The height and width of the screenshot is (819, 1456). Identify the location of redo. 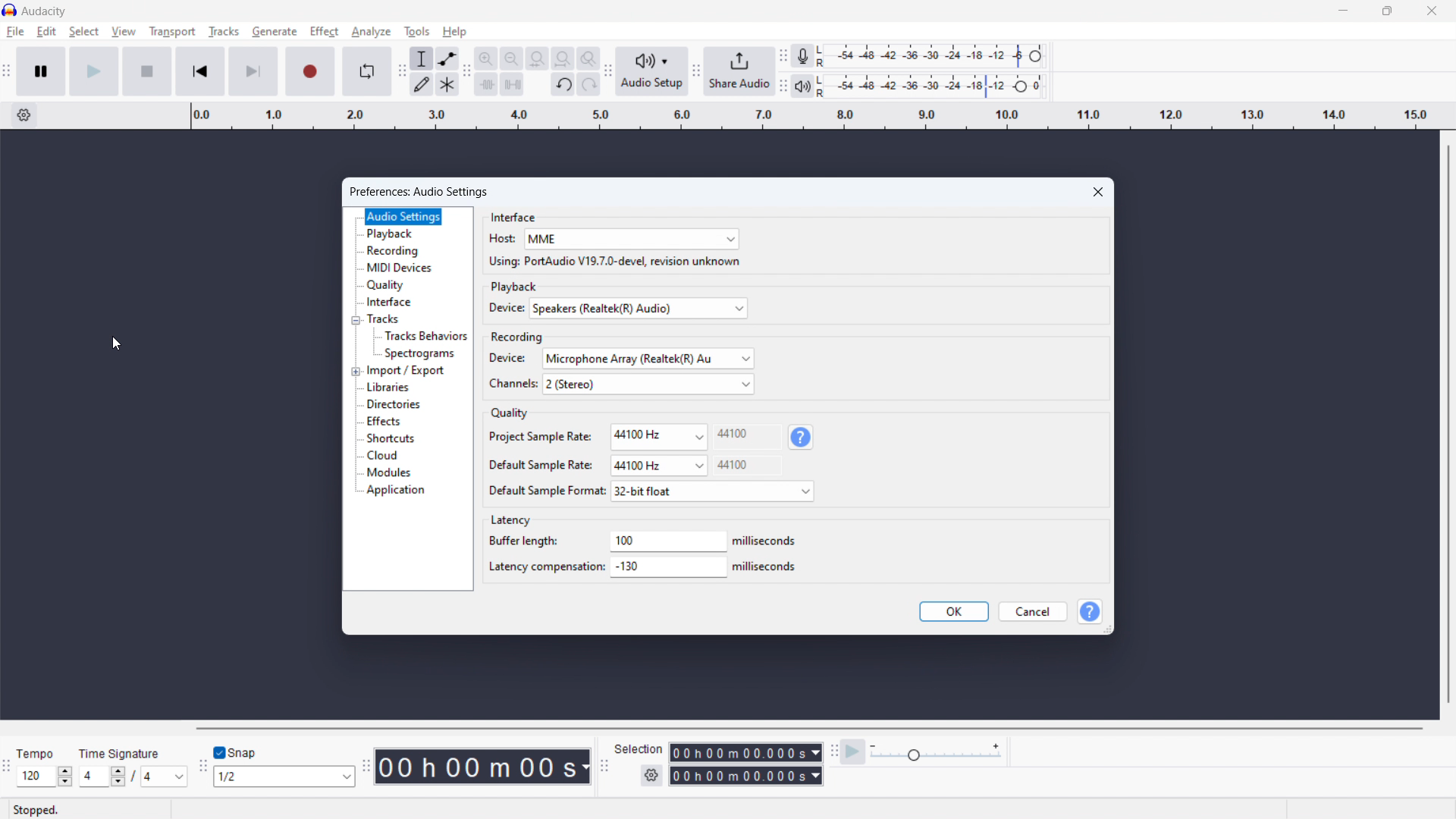
(589, 84).